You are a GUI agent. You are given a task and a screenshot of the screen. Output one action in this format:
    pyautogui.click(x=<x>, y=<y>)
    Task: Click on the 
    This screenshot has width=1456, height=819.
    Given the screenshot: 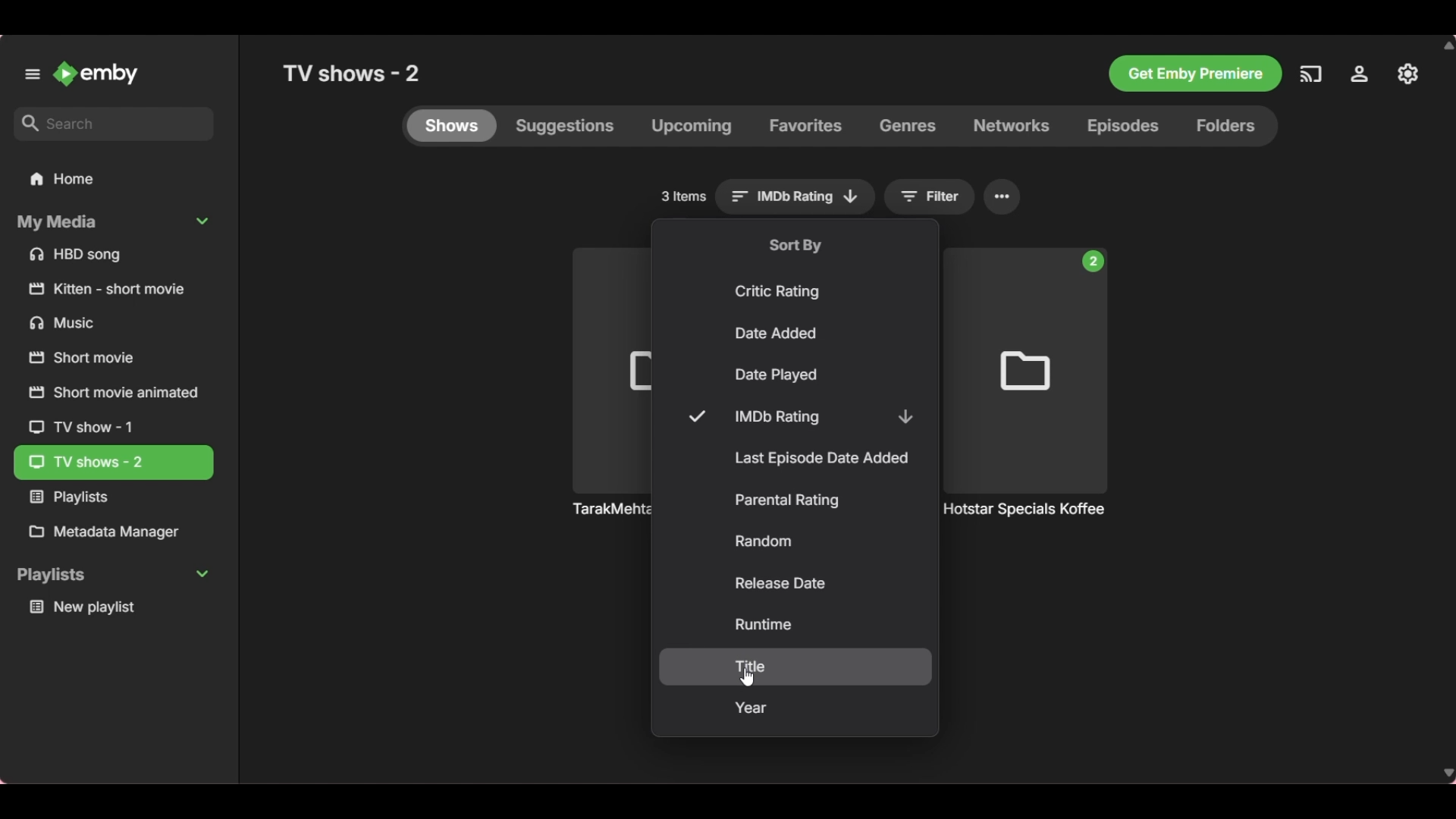 What is the action you would take?
    pyautogui.click(x=106, y=290)
    